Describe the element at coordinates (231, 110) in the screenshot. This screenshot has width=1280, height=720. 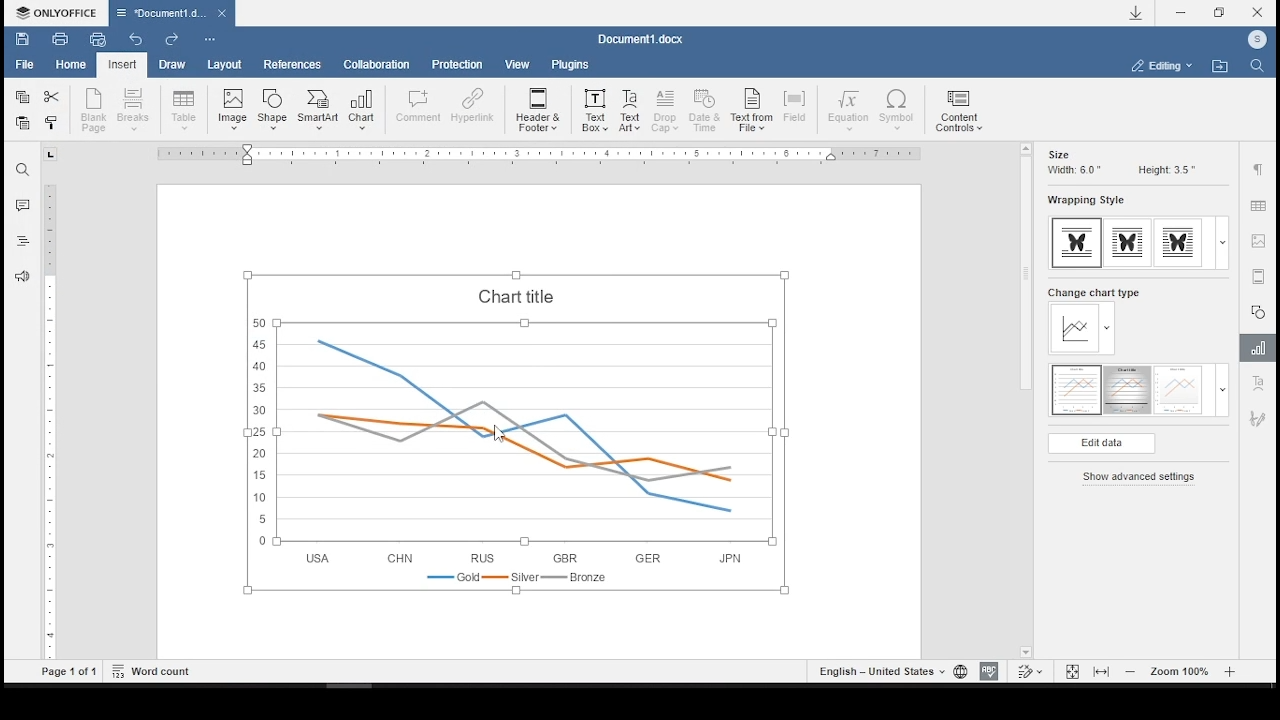
I see `insert image` at that location.